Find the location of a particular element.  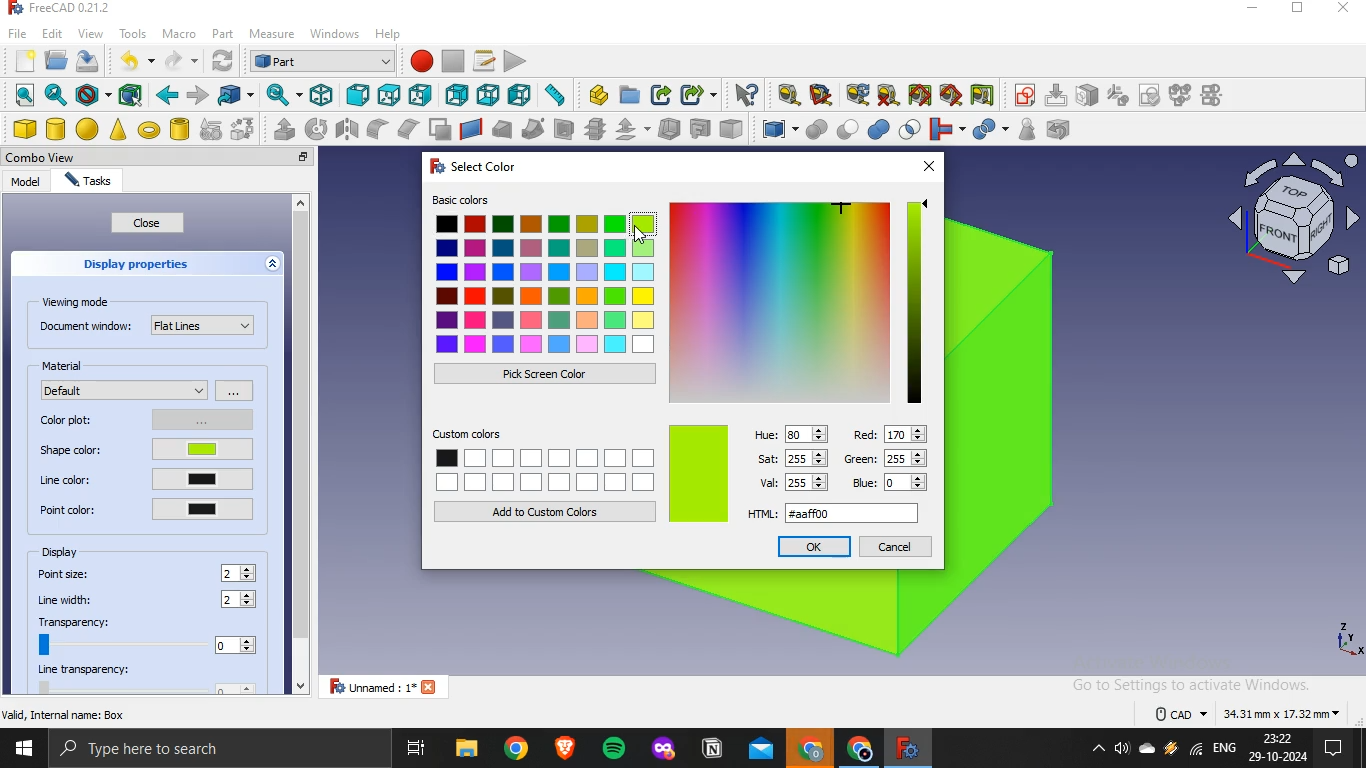

revolve is located at coordinates (316, 128).